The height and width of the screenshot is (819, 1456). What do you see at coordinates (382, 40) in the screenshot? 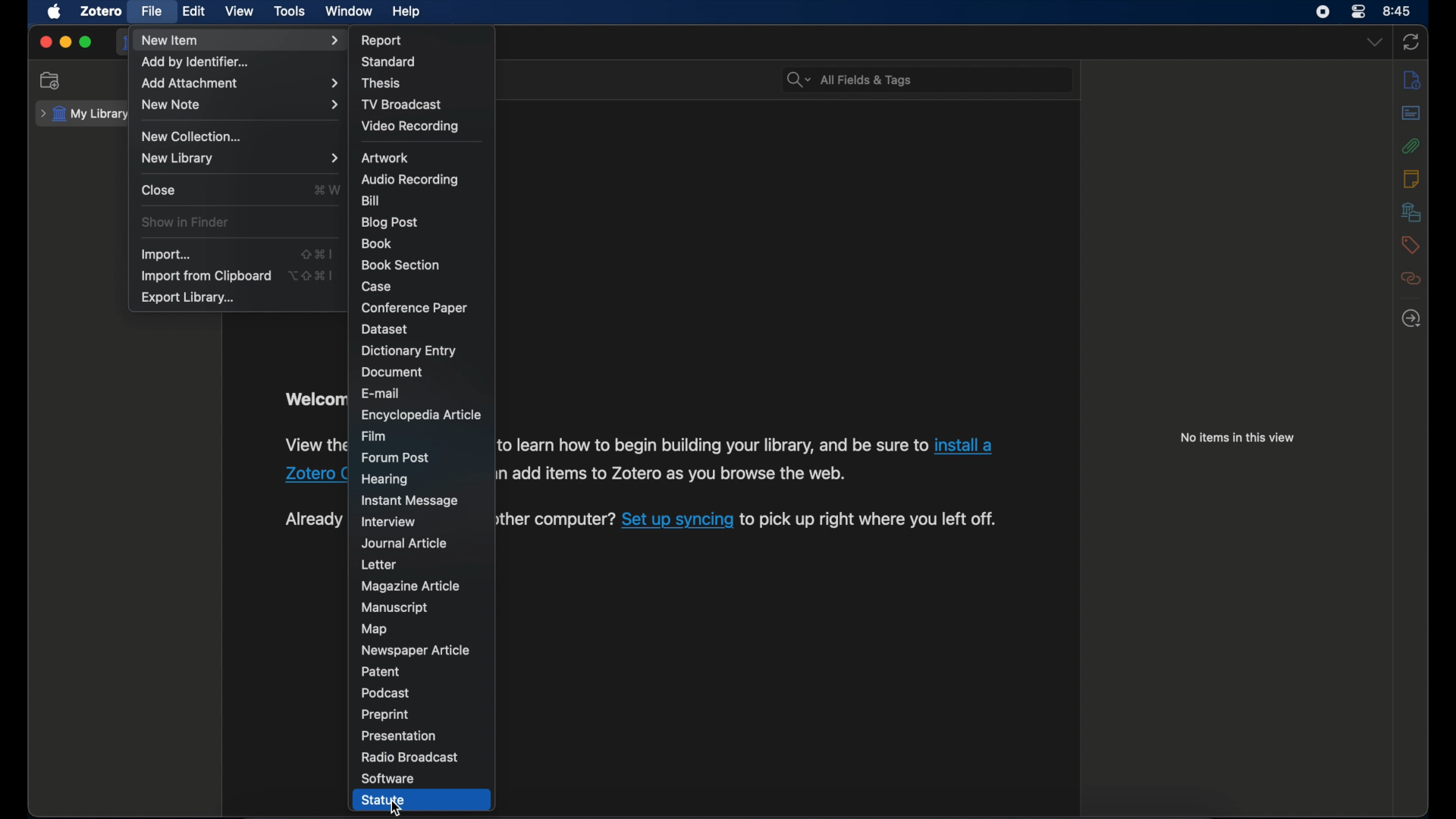
I see `report` at bounding box center [382, 40].